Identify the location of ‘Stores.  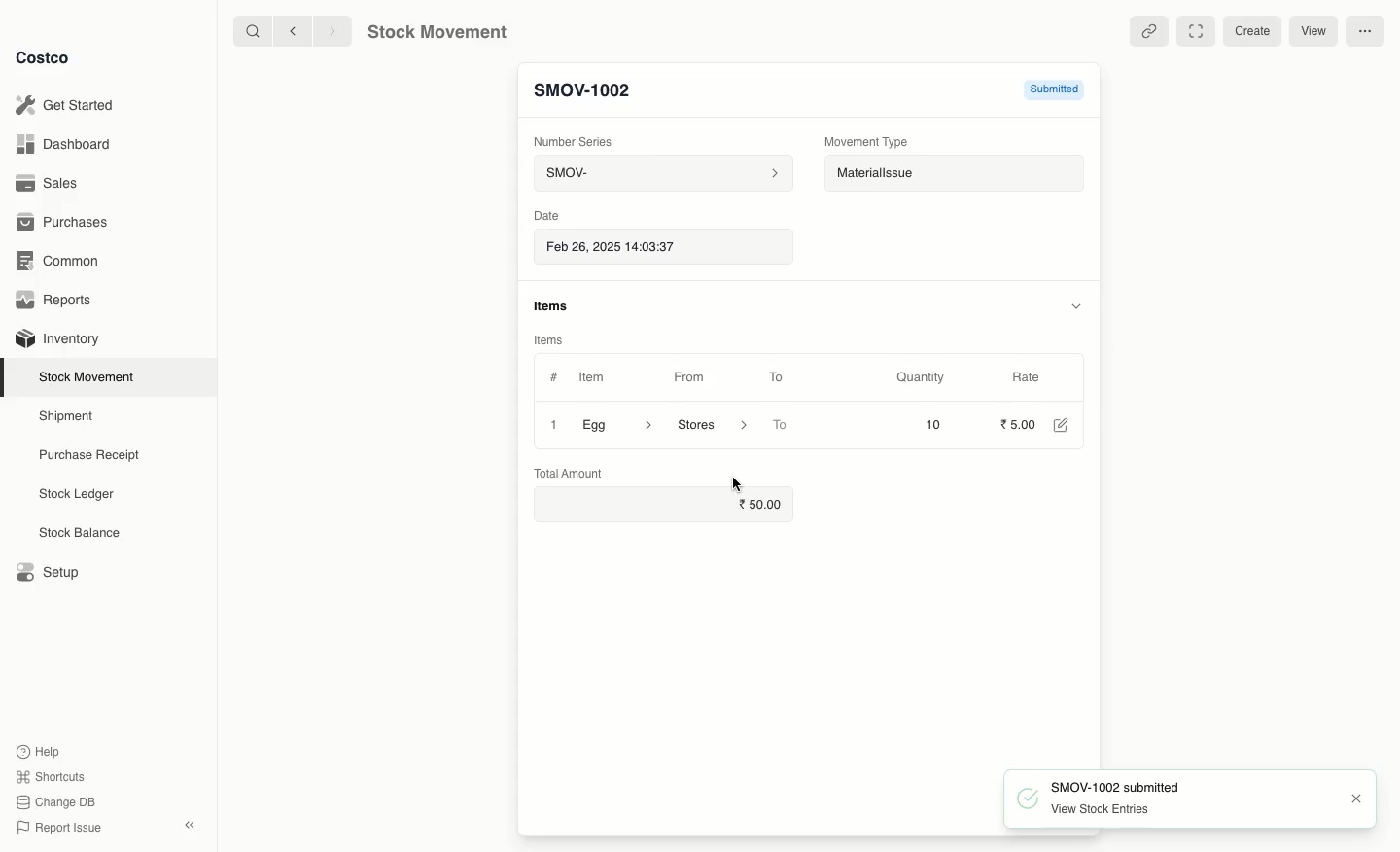
(710, 423).